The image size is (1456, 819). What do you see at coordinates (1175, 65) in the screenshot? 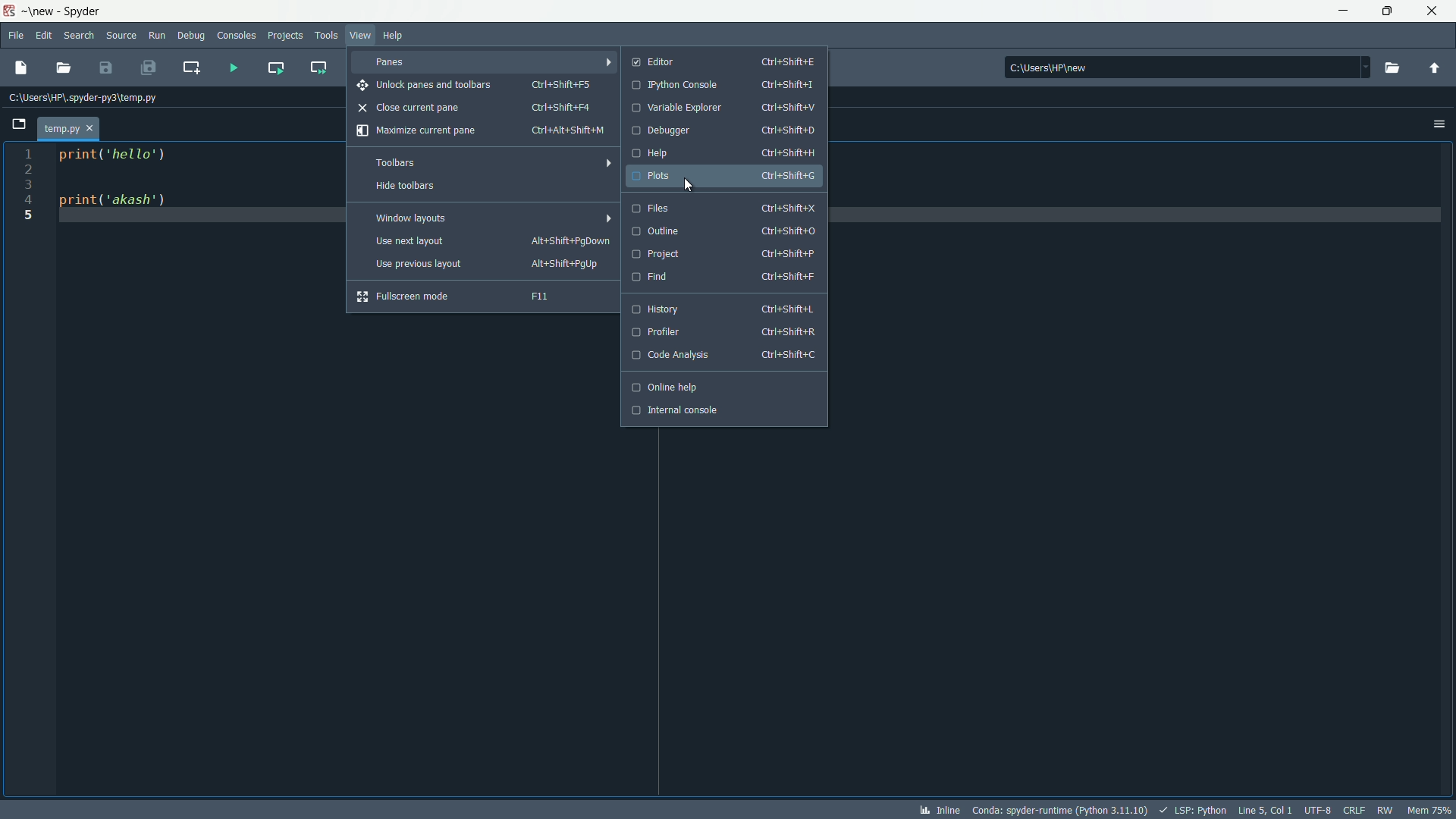
I see `| C:\Users\HP\new` at bounding box center [1175, 65].